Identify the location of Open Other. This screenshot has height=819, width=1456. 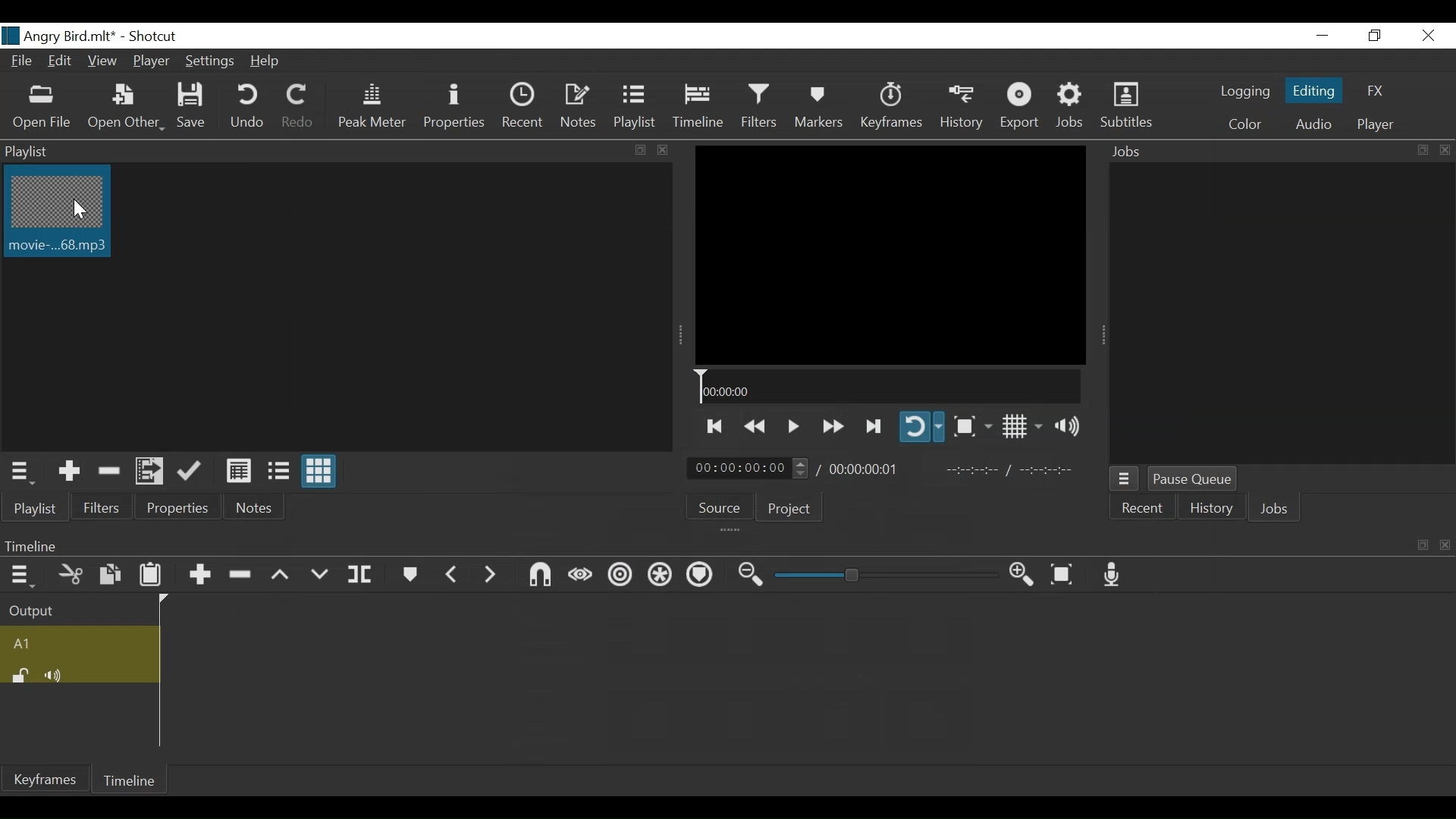
(125, 108).